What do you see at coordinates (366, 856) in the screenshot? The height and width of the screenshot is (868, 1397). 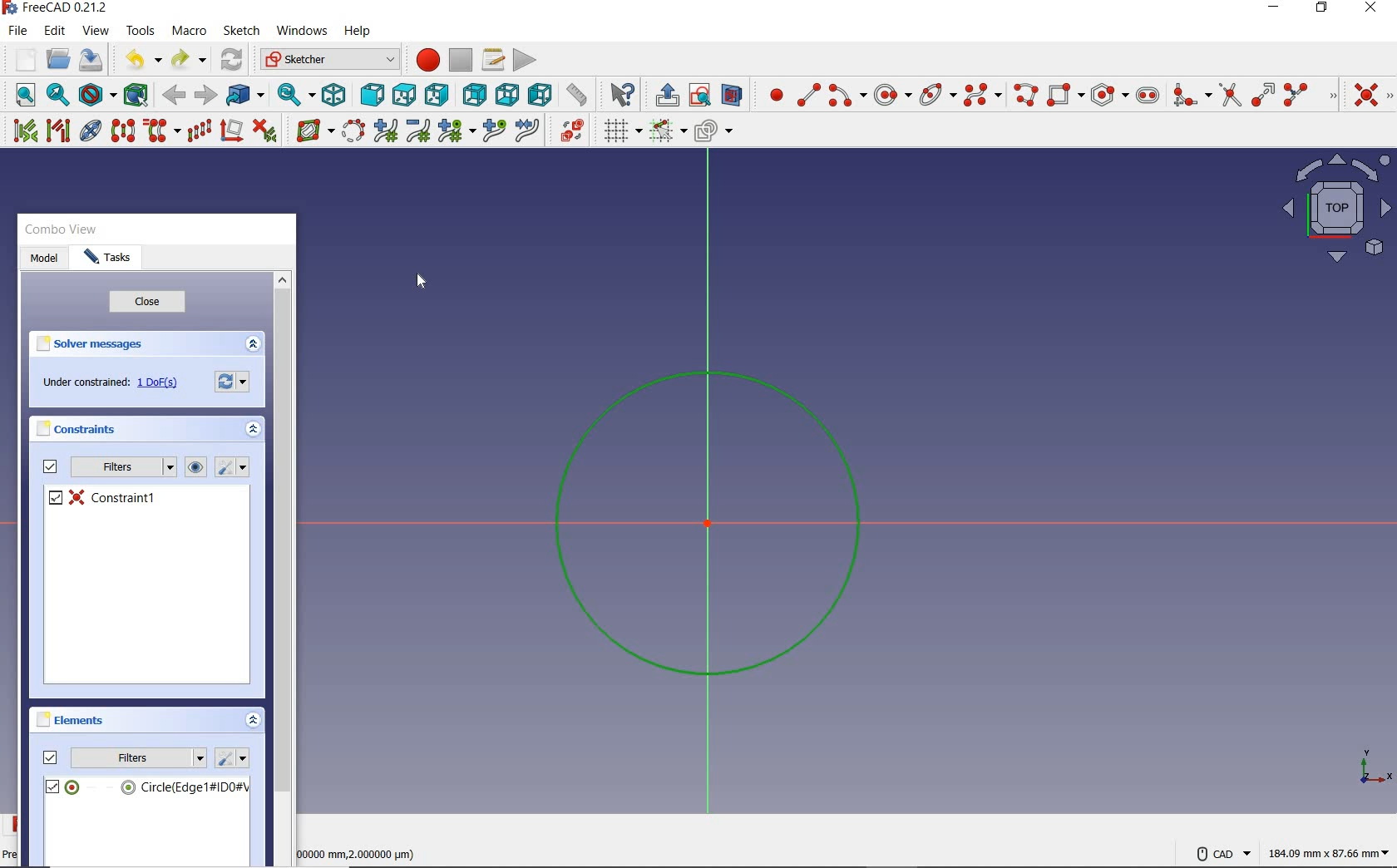 I see `measuremts` at bounding box center [366, 856].